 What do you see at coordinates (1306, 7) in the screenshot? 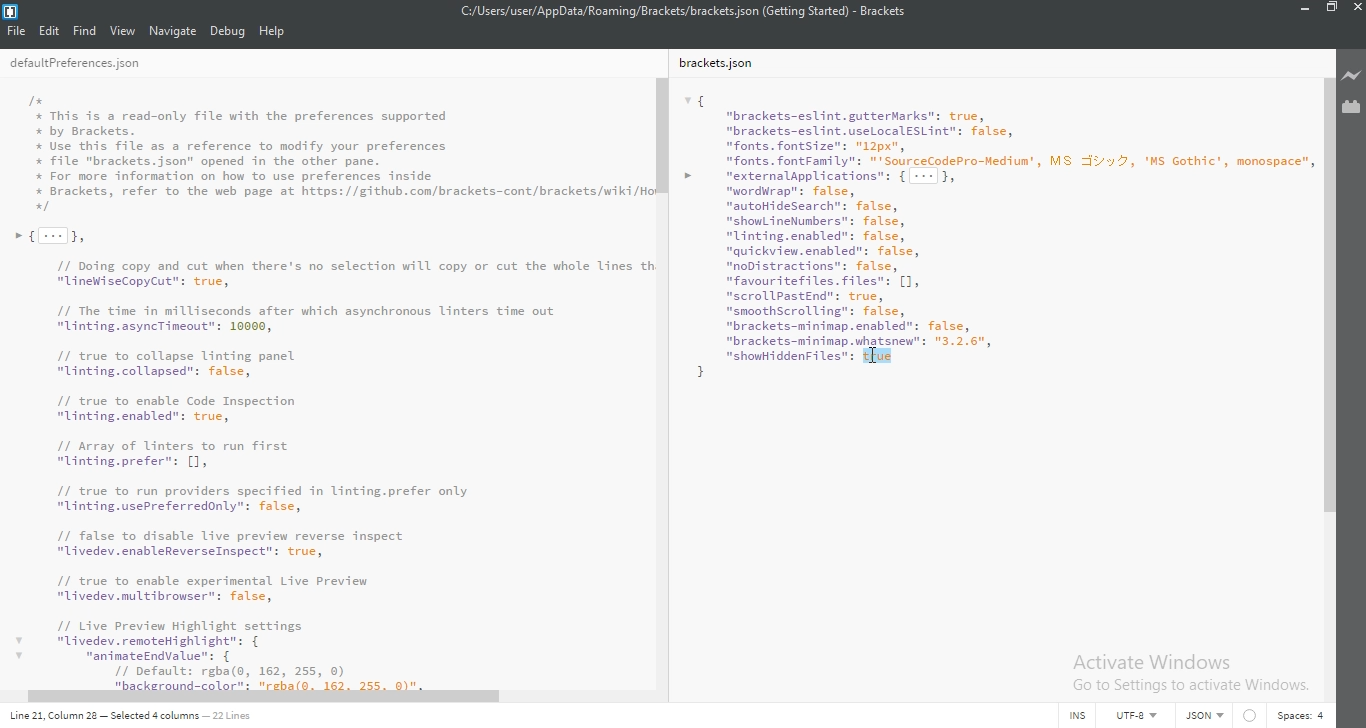
I see `minimize` at bounding box center [1306, 7].